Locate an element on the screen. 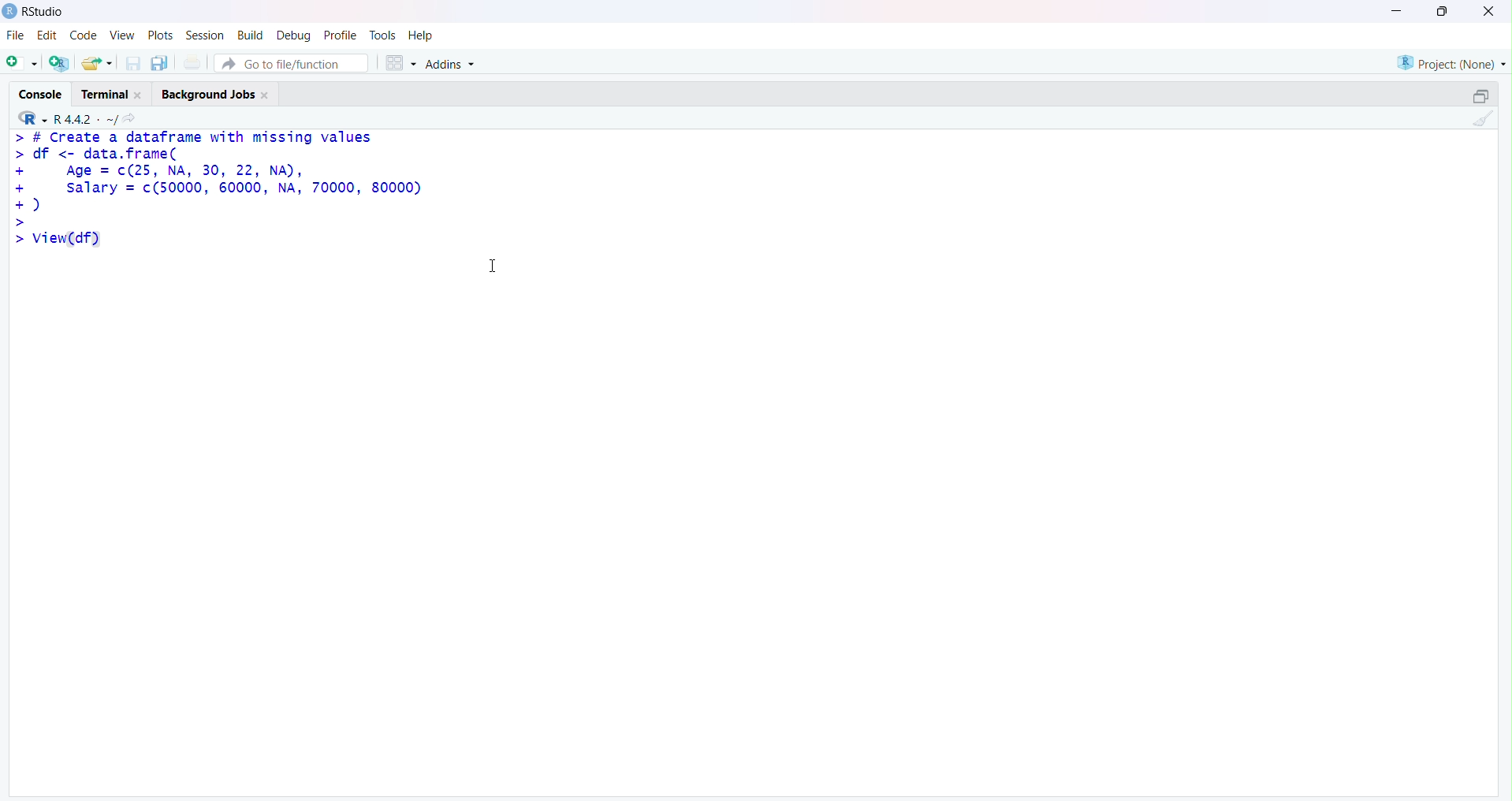 The height and width of the screenshot is (801, 1512). Print the current file is located at coordinates (192, 61).